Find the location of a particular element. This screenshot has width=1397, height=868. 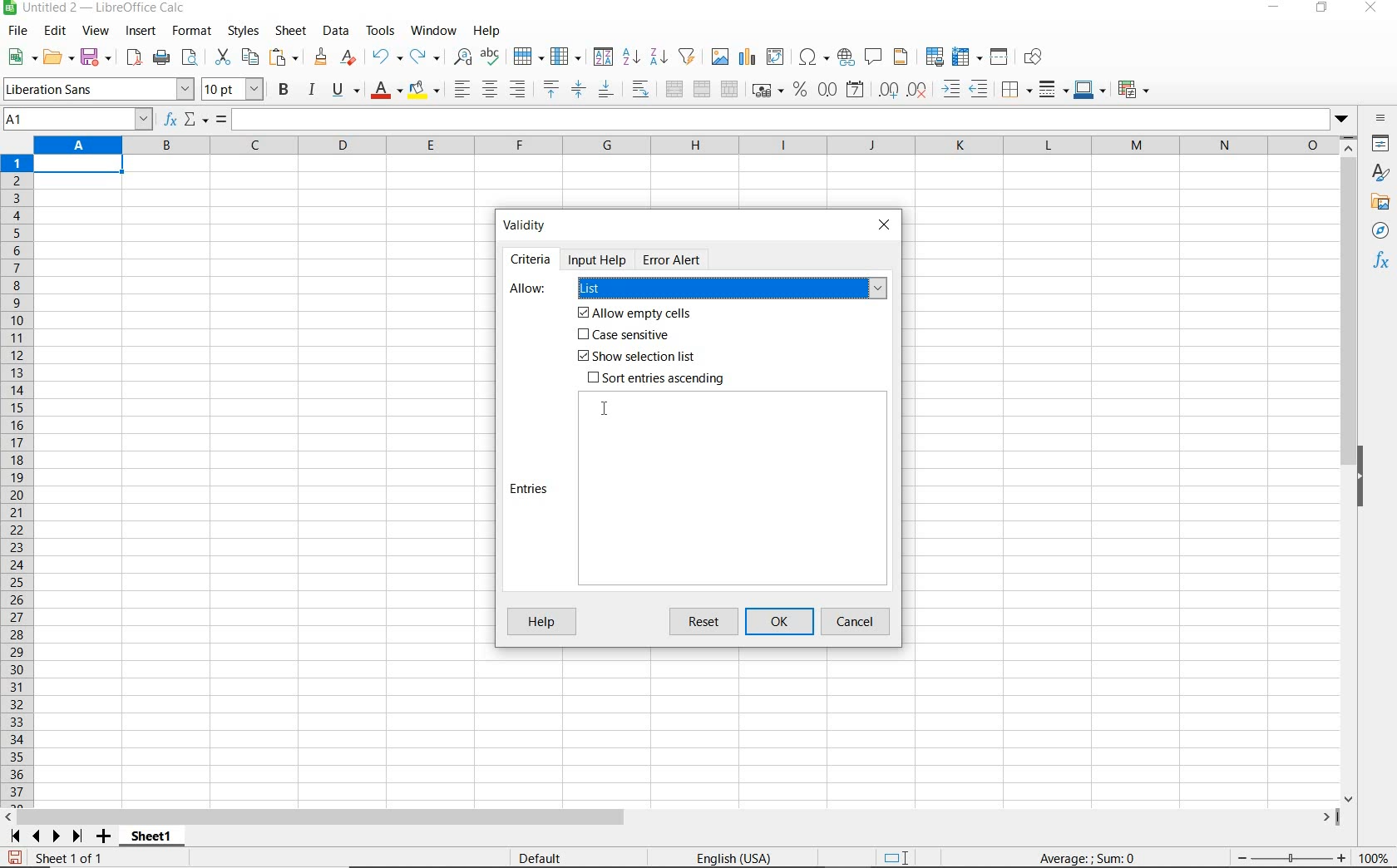

headers and footers is located at coordinates (904, 57).